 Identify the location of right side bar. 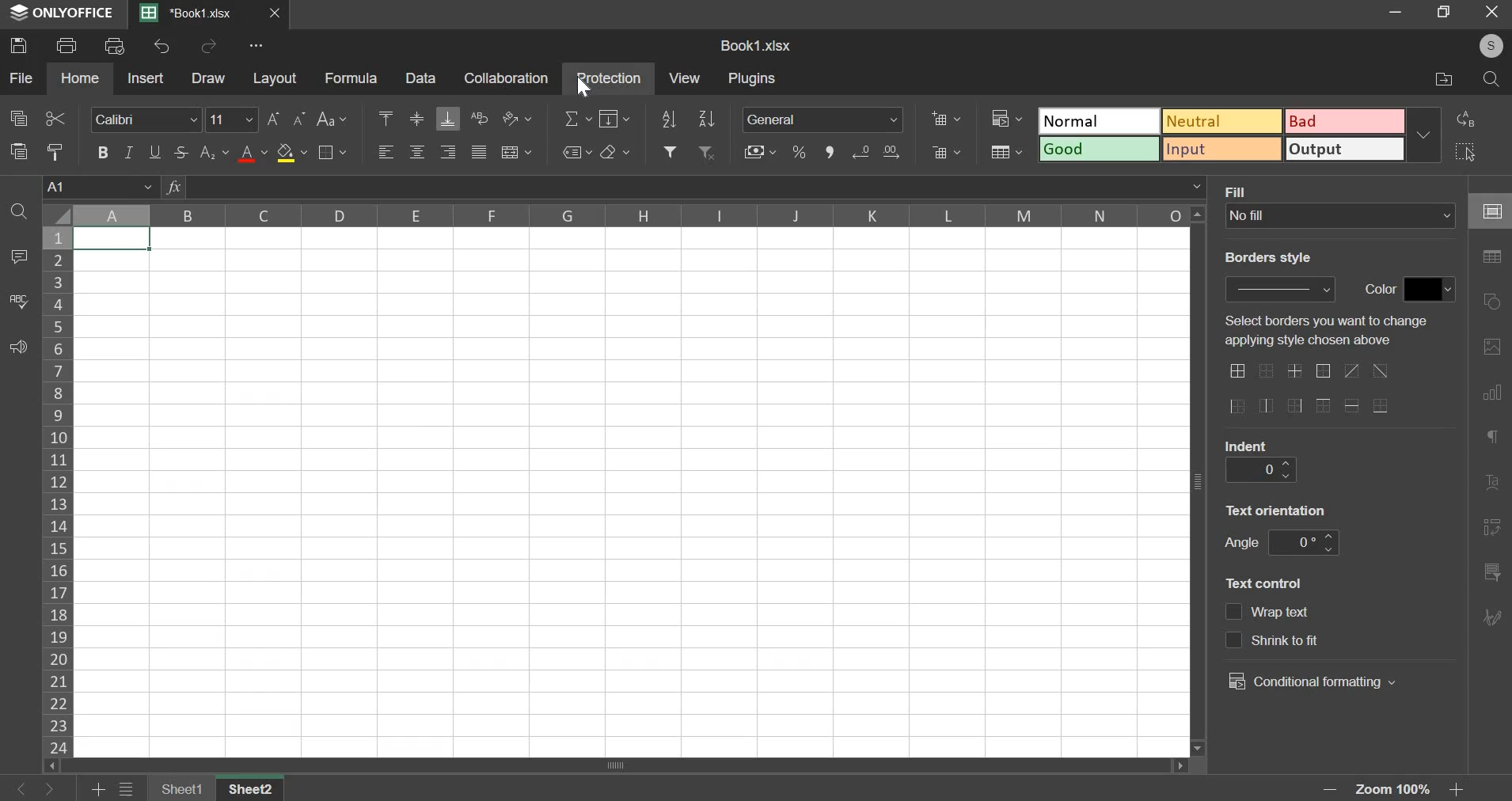
(1495, 436).